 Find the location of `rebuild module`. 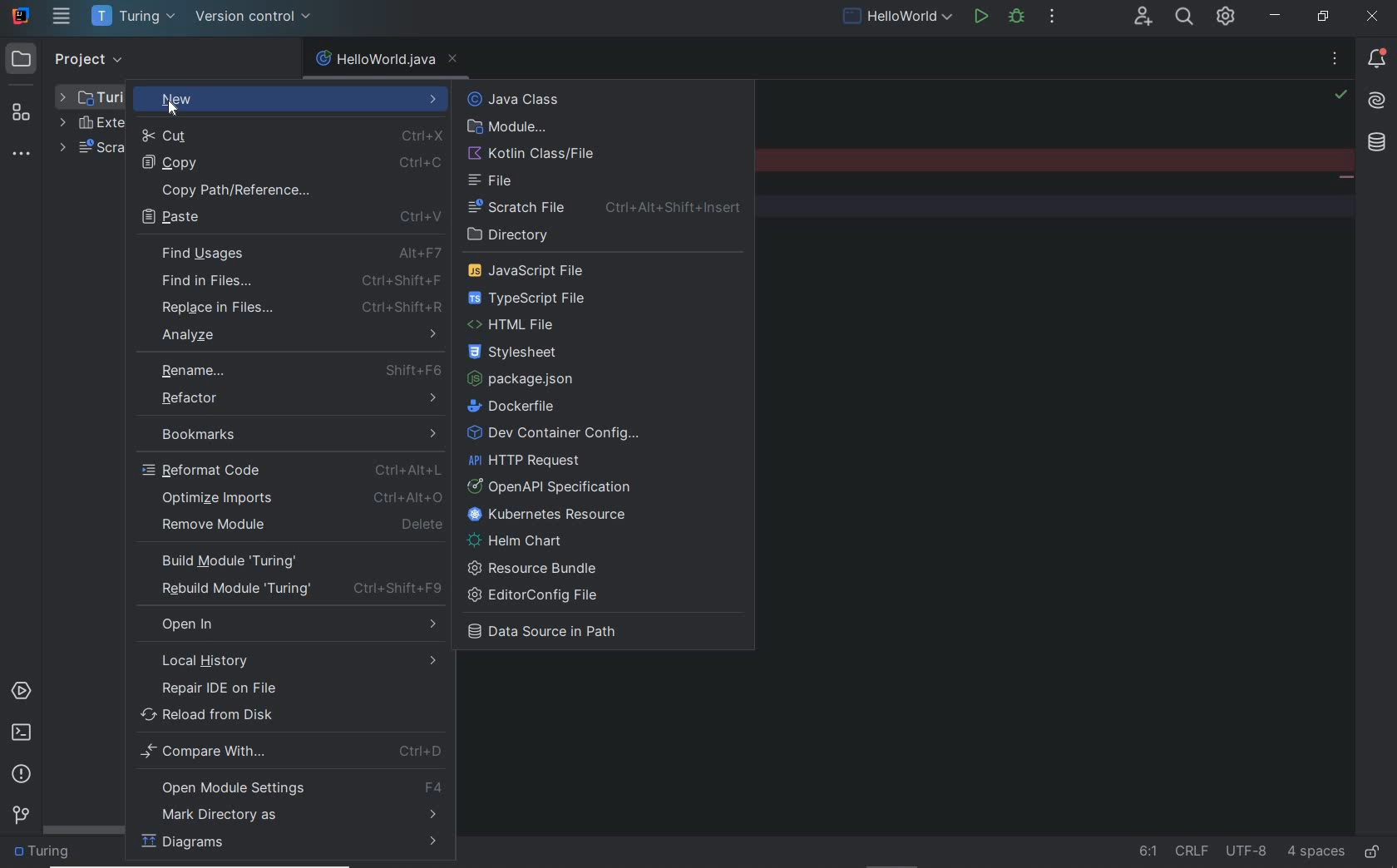

rebuild module is located at coordinates (293, 589).